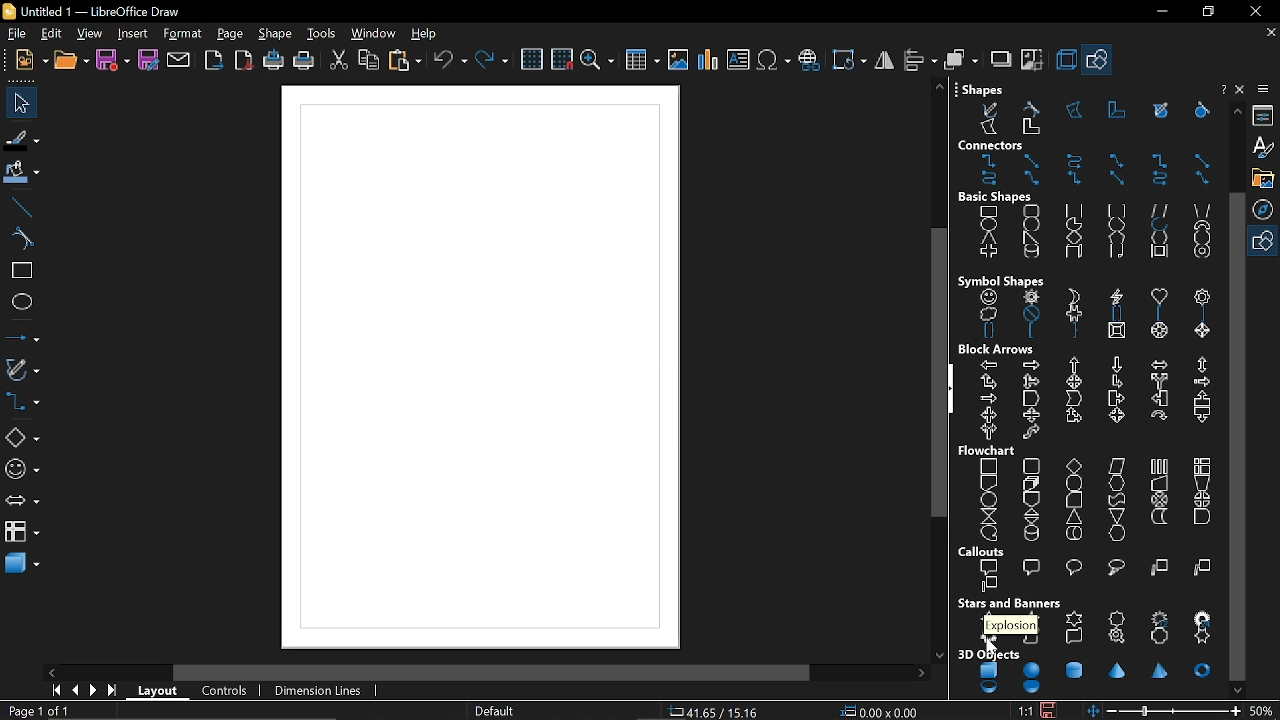 This screenshot has width=1280, height=720. What do you see at coordinates (302, 61) in the screenshot?
I see `print` at bounding box center [302, 61].